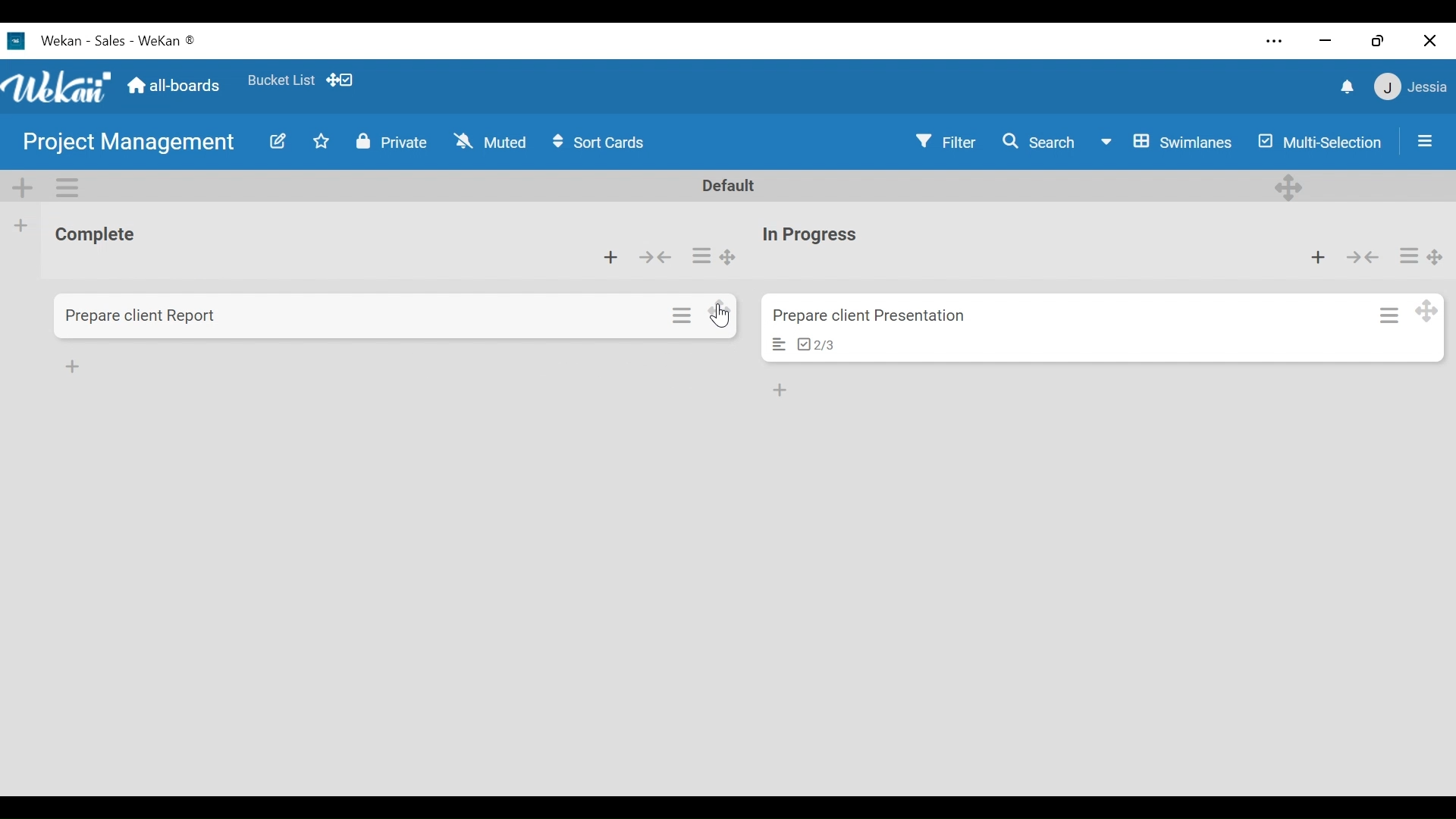  What do you see at coordinates (602, 143) in the screenshot?
I see `Sort cards` at bounding box center [602, 143].